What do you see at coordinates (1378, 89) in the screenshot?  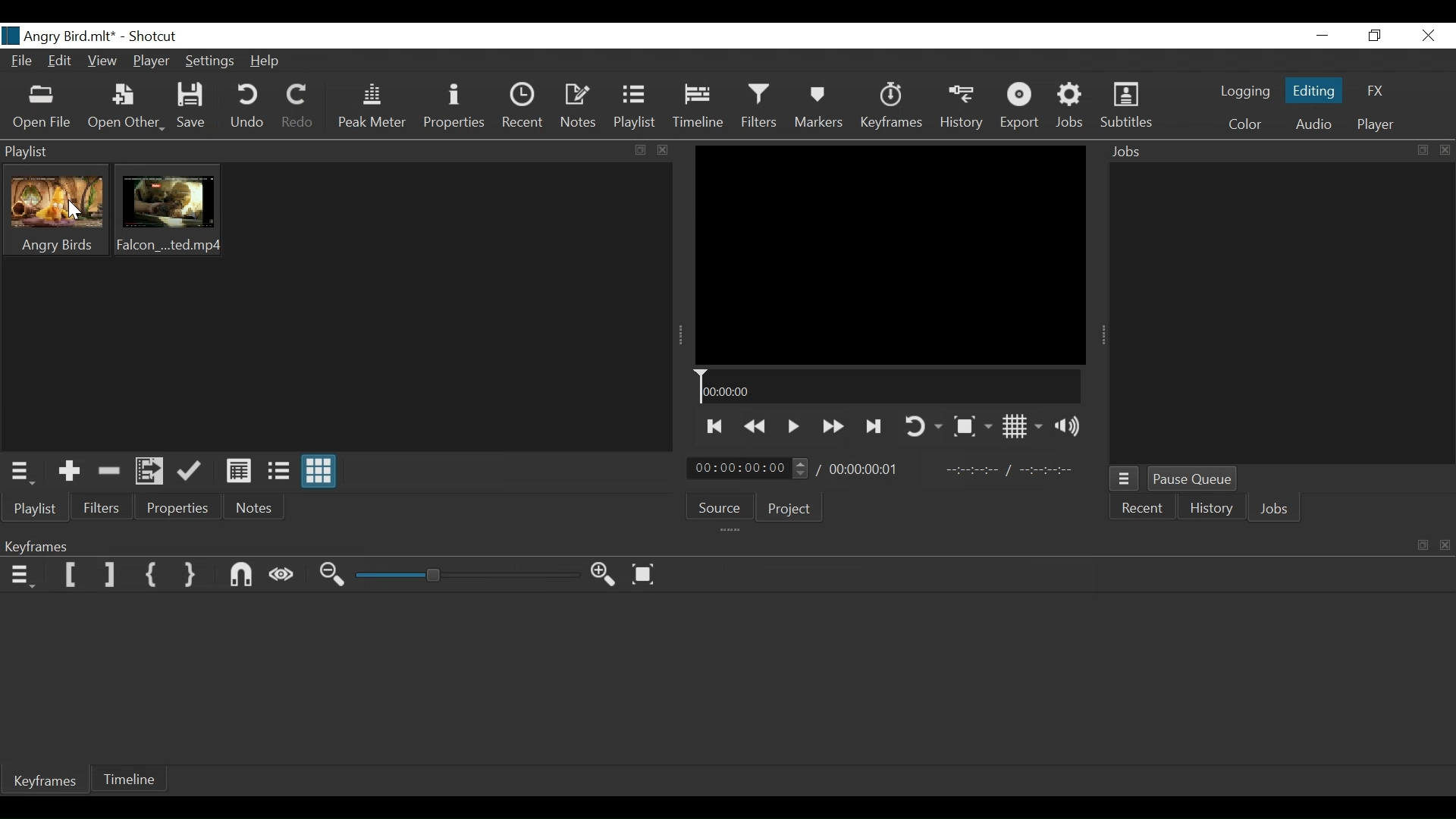 I see `FX` at bounding box center [1378, 89].